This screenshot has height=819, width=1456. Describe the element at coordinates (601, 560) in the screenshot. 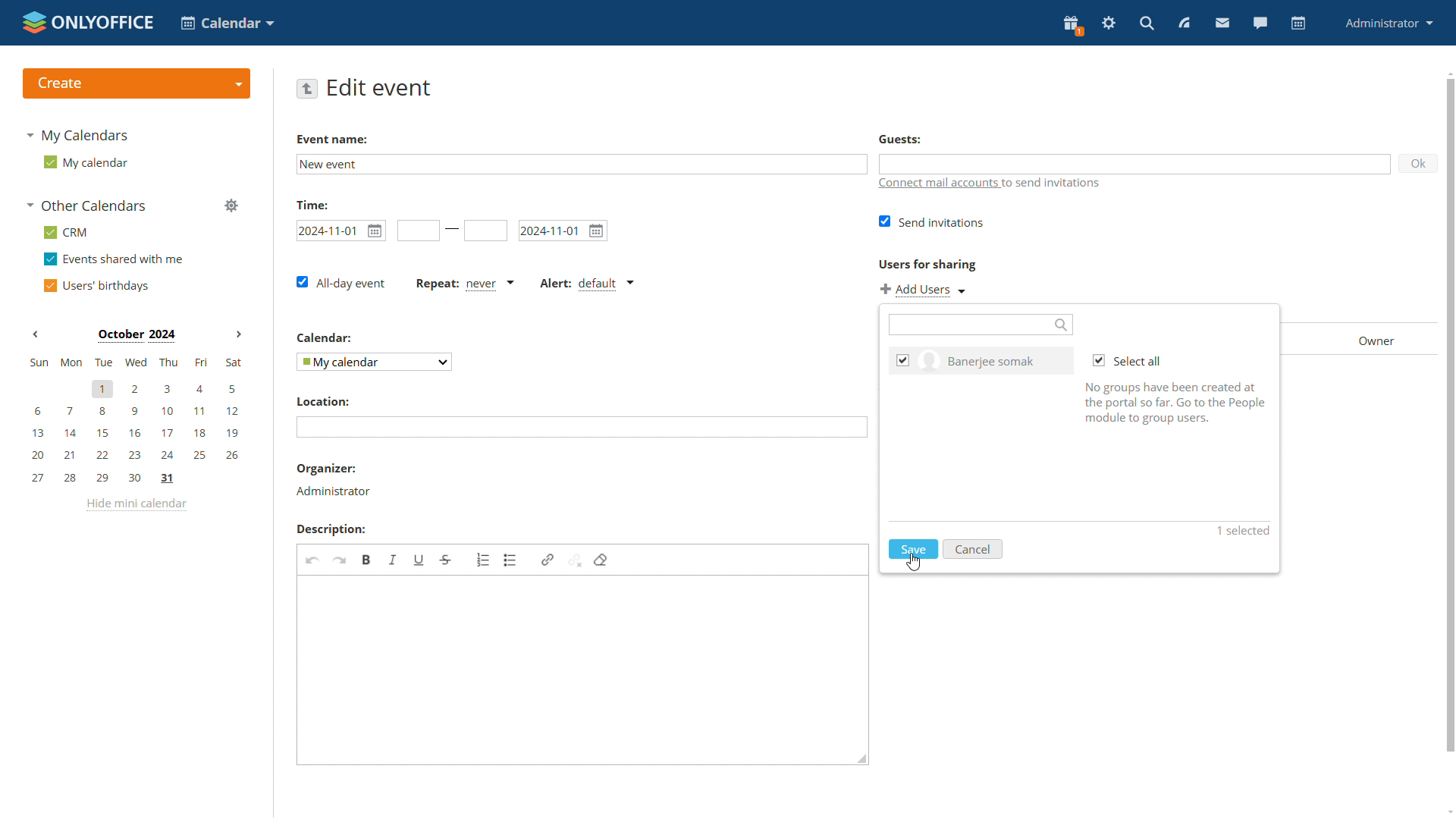

I see `delete format` at that location.